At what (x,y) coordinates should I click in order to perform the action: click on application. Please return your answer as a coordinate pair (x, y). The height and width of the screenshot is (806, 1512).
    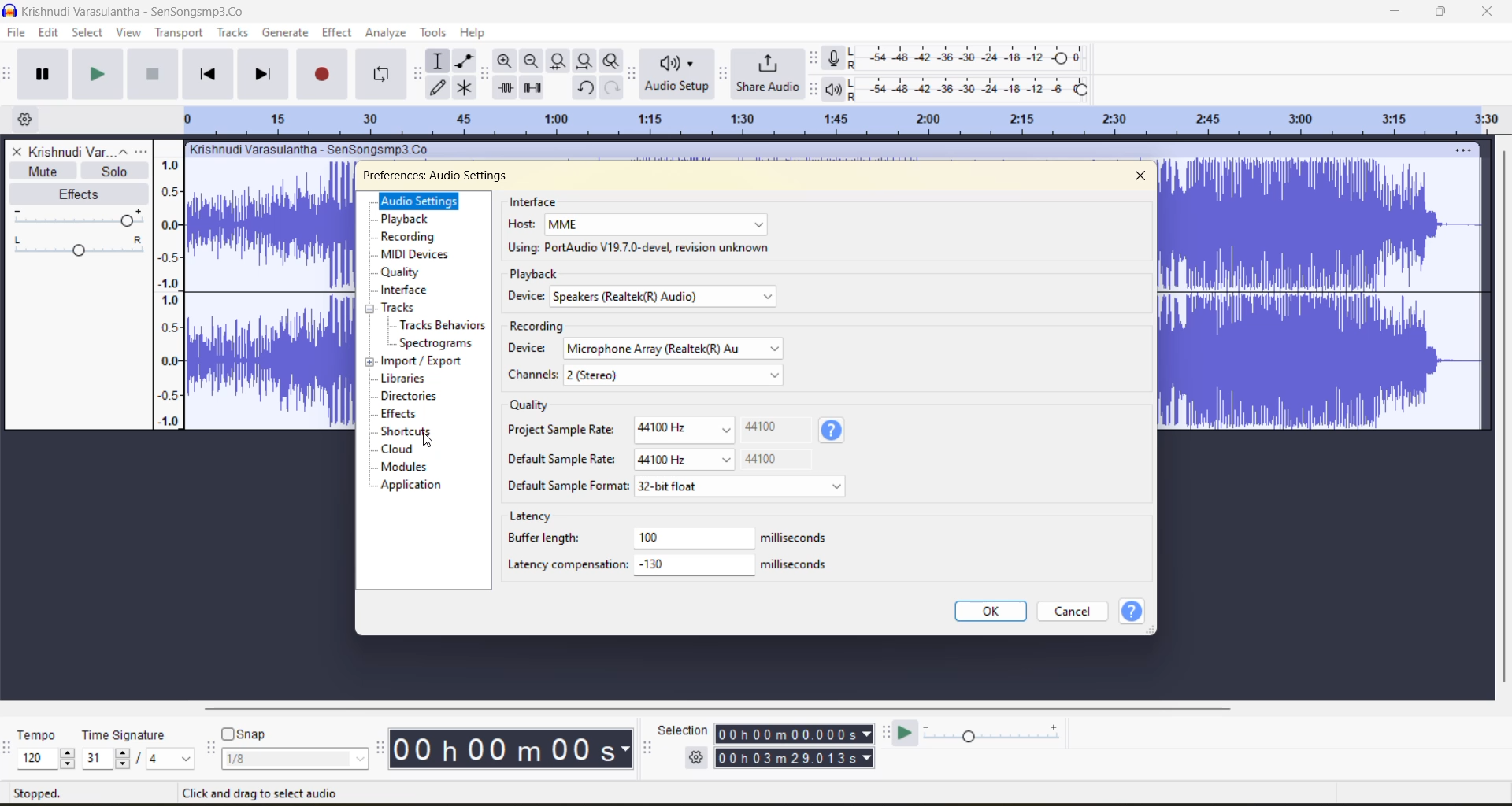
    Looking at the image, I should click on (412, 484).